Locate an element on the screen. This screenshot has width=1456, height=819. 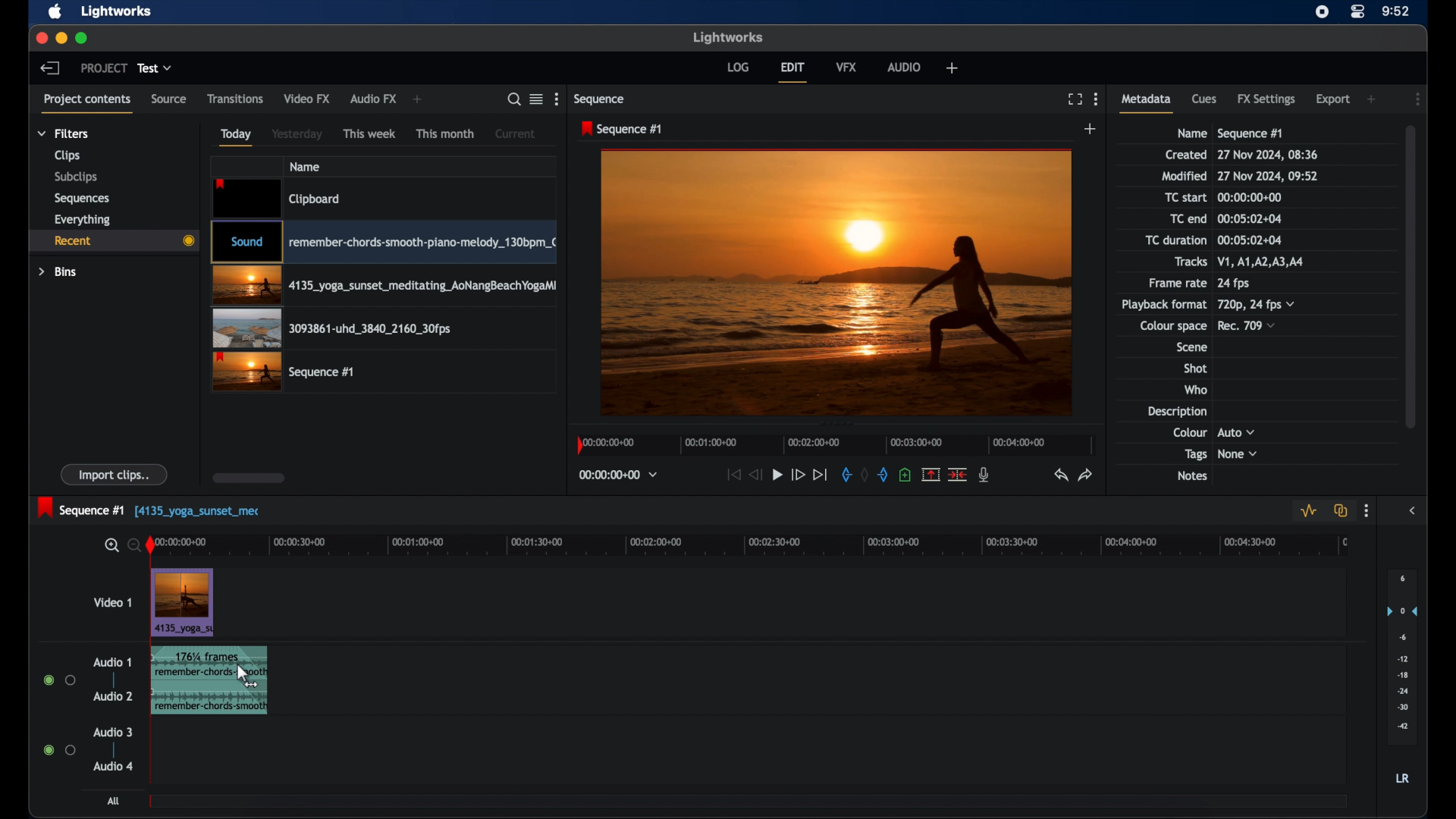
import clips is located at coordinates (115, 474).